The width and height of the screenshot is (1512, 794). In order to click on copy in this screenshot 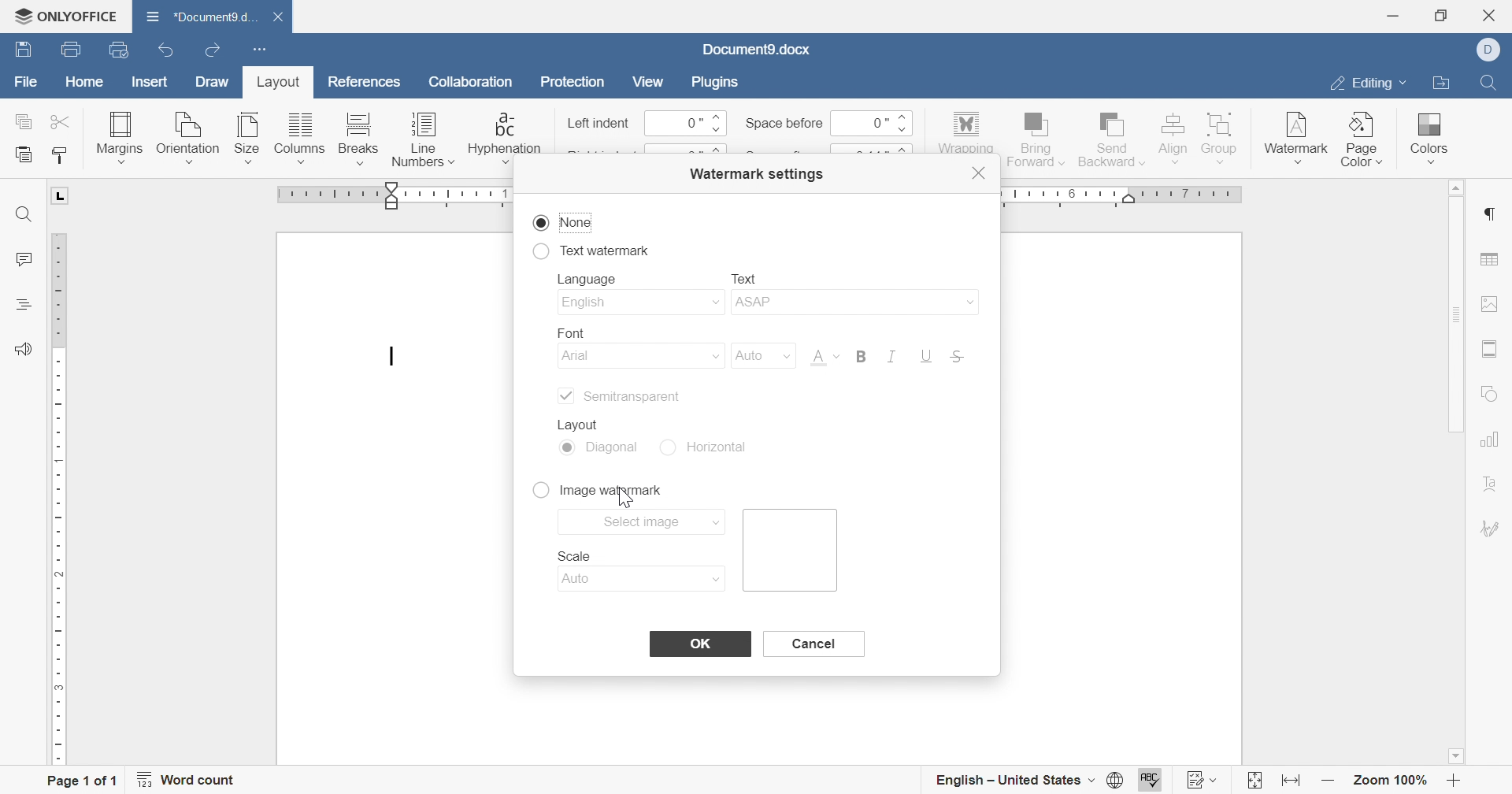, I will do `click(24, 121)`.